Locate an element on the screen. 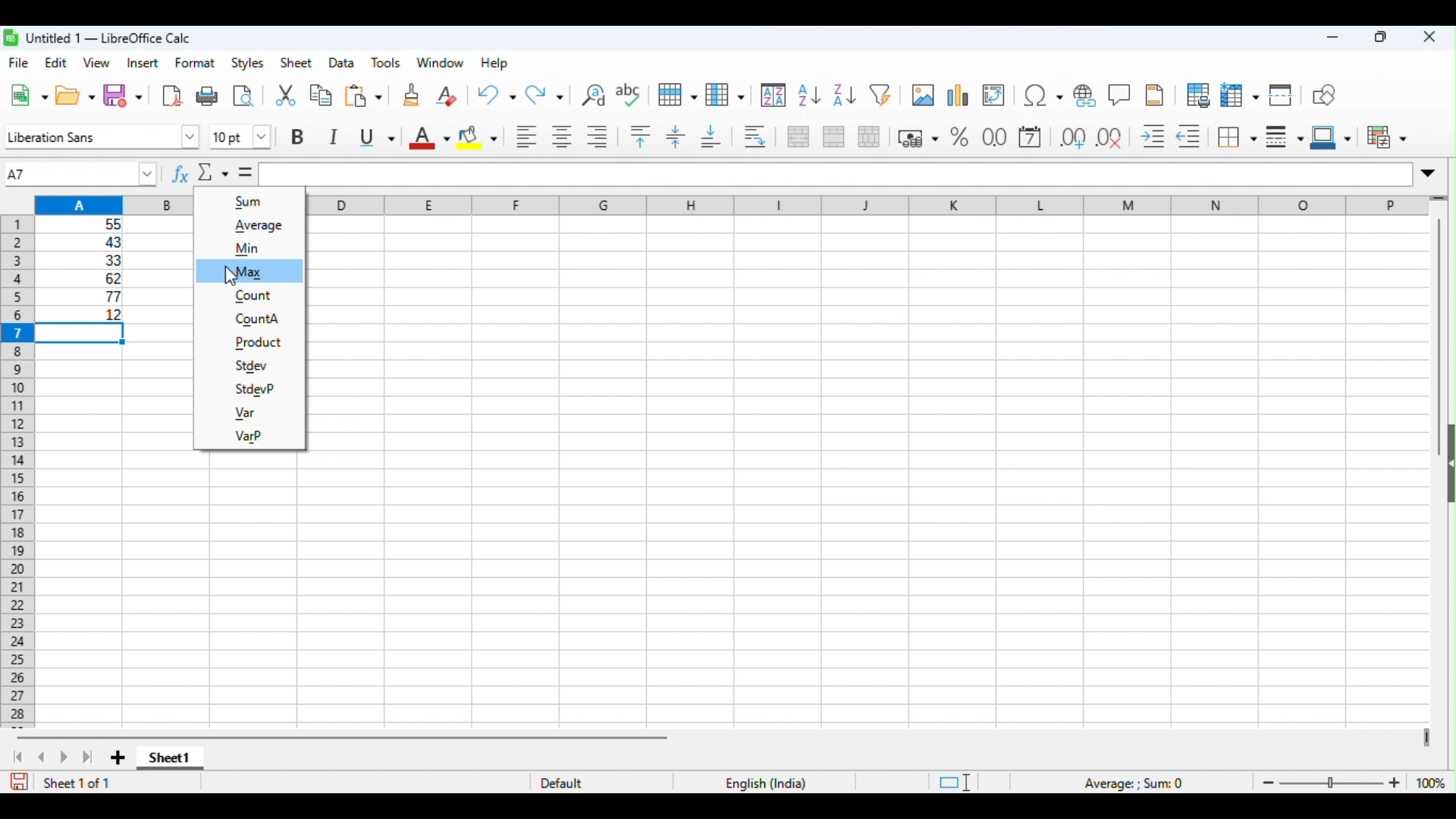 The image size is (1456, 819). sheet1 is located at coordinates (171, 760).